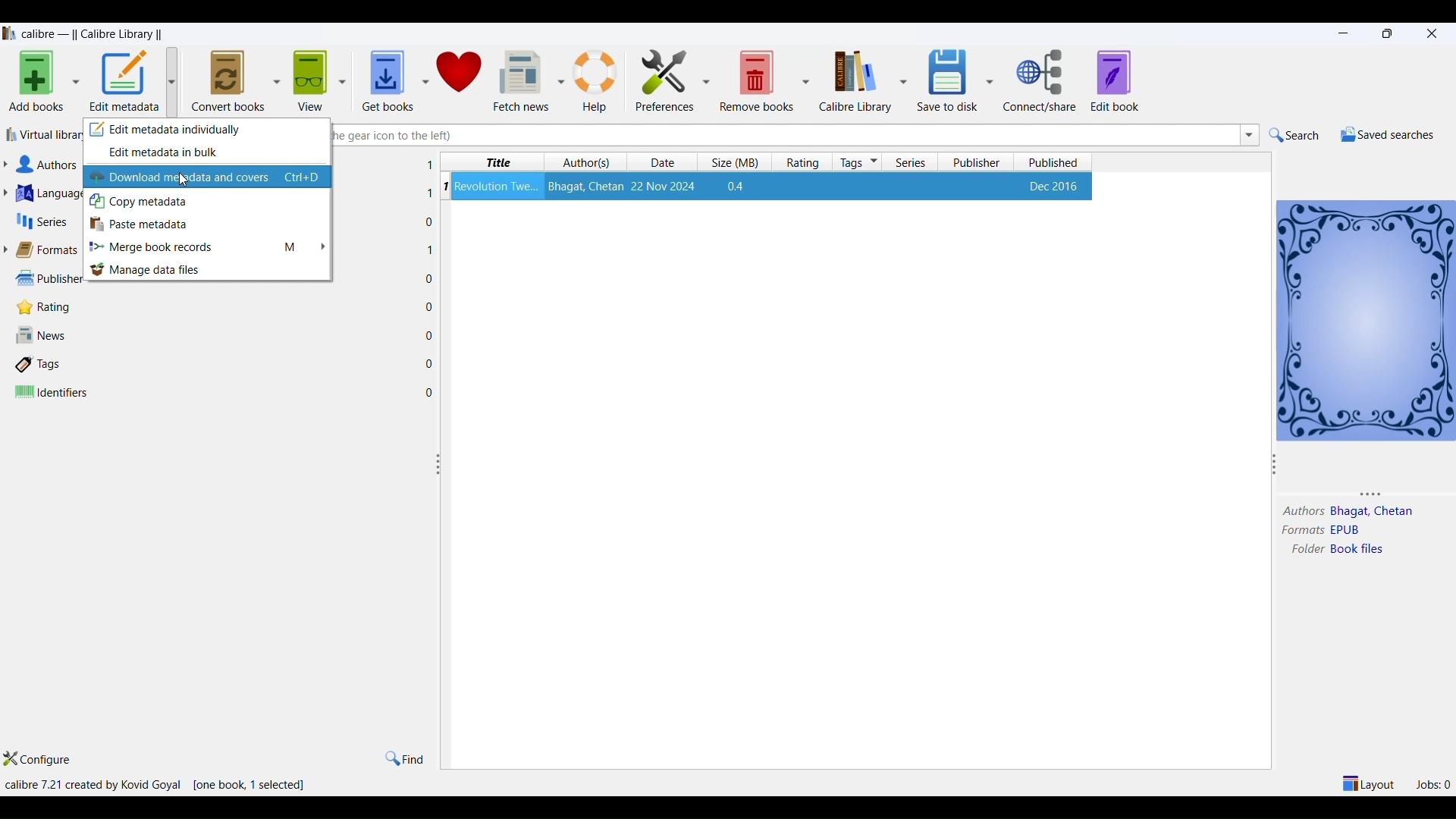 The width and height of the screenshot is (1456, 819). What do you see at coordinates (94, 784) in the screenshot?
I see `calibre version and creator` at bounding box center [94, 784].